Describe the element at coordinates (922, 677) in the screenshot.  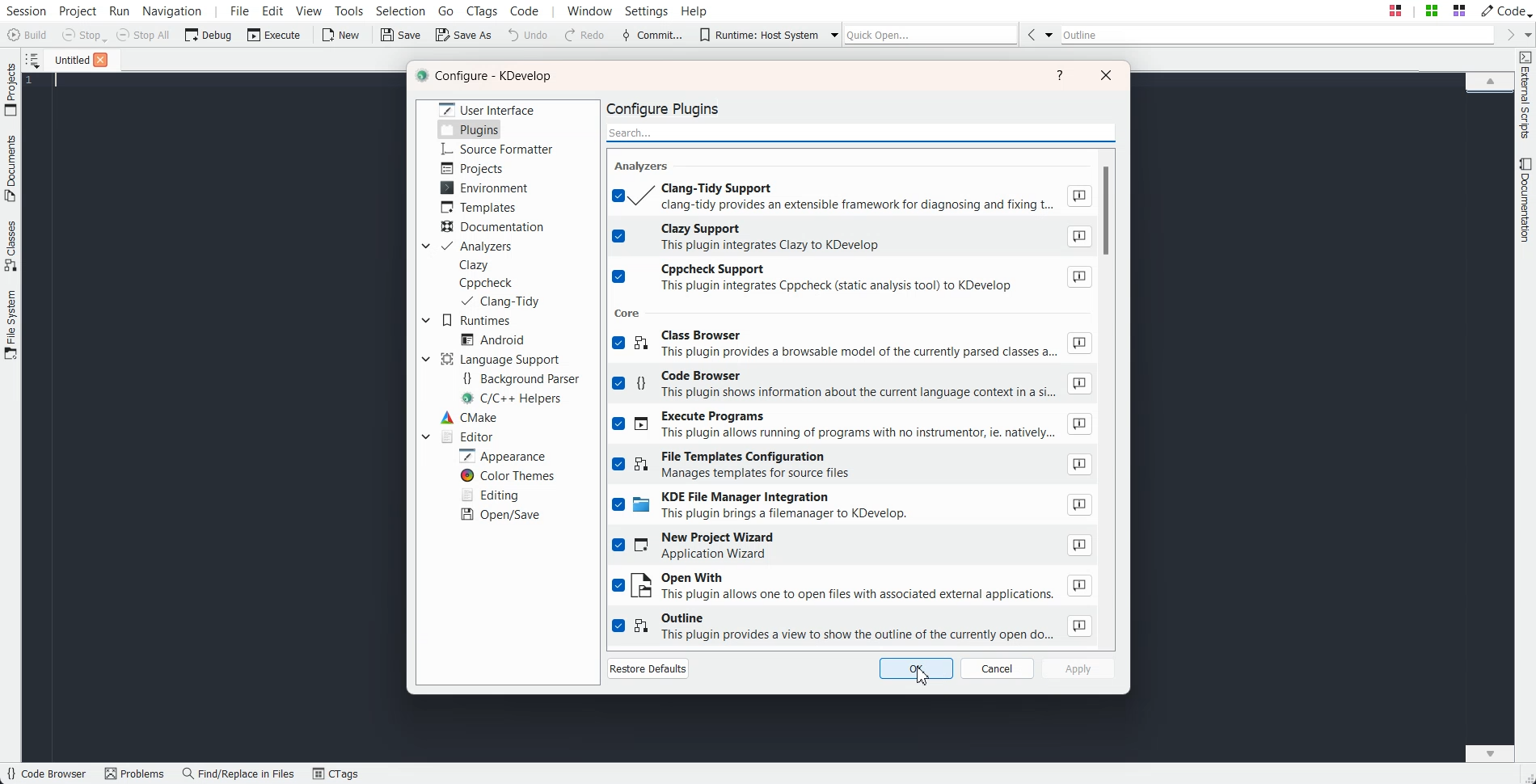
I see `Cursor` at that location.